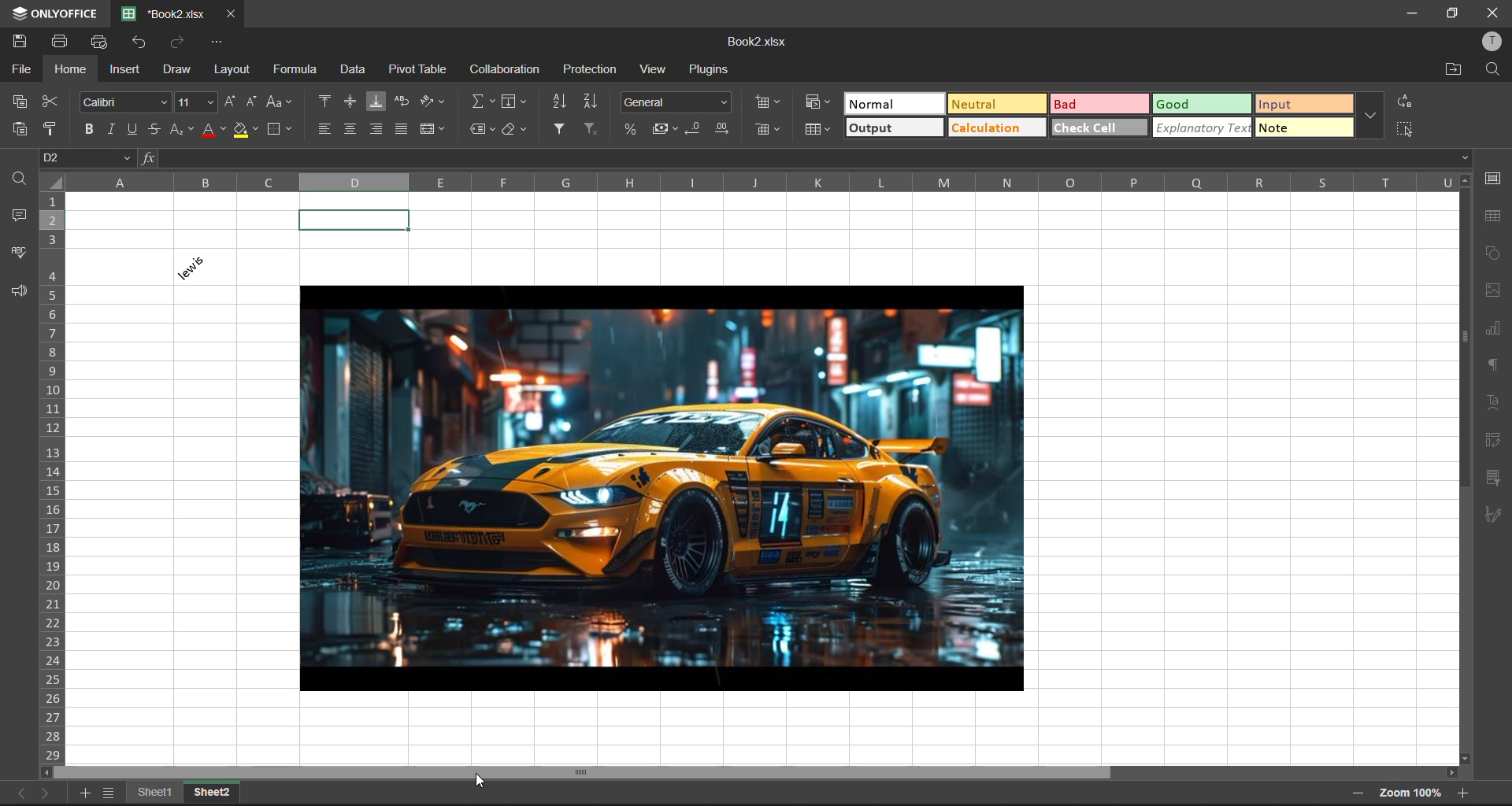 Image resolution: width=1512 pixels, height=806 pixels. Describe the element at coordinates (404, 102) in the screenshot. I see `wrap text` at that location.